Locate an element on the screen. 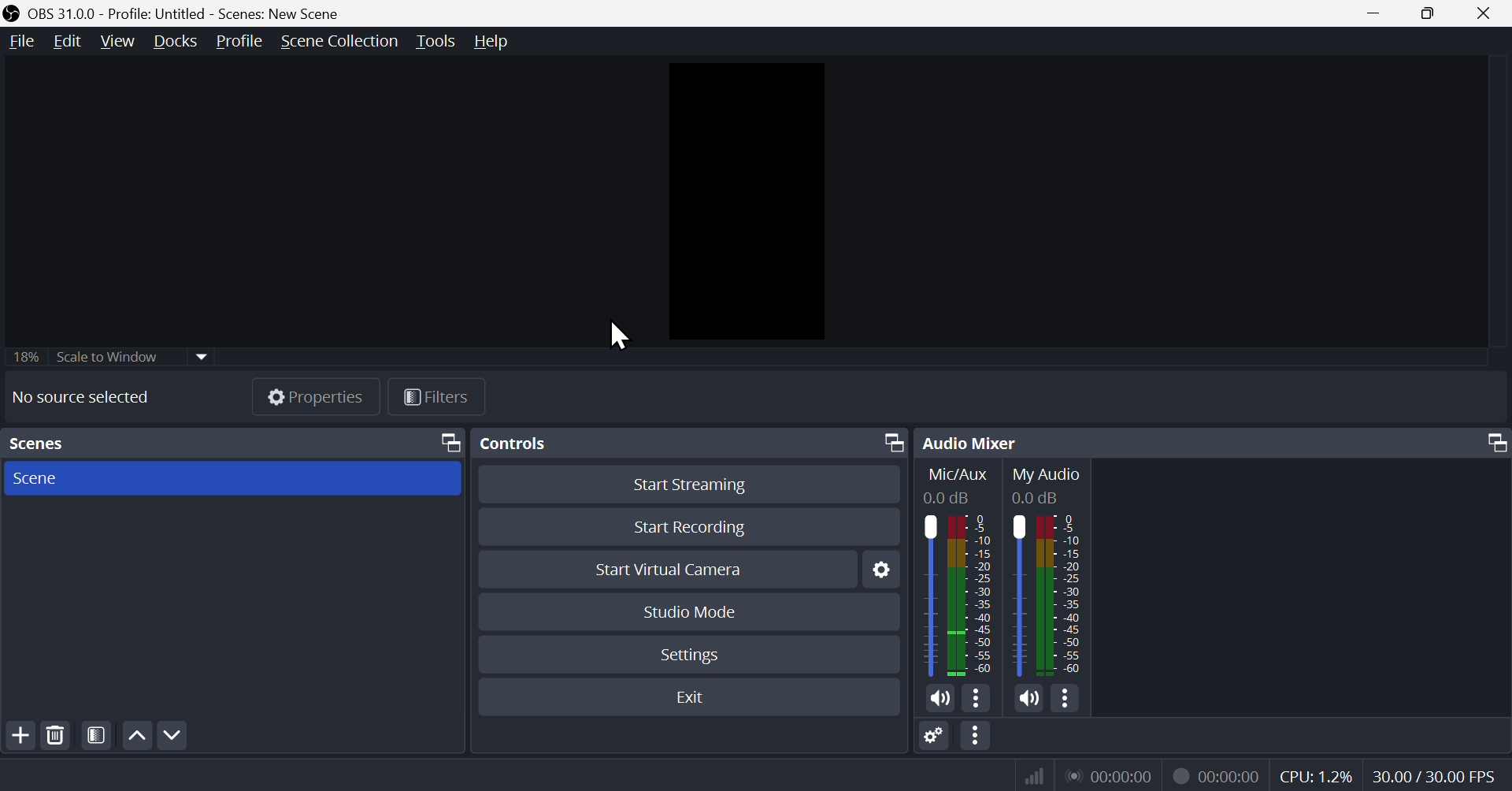 The height and width of the screenshot is (791, 1512). Settings is located at coordinates (688, 654).